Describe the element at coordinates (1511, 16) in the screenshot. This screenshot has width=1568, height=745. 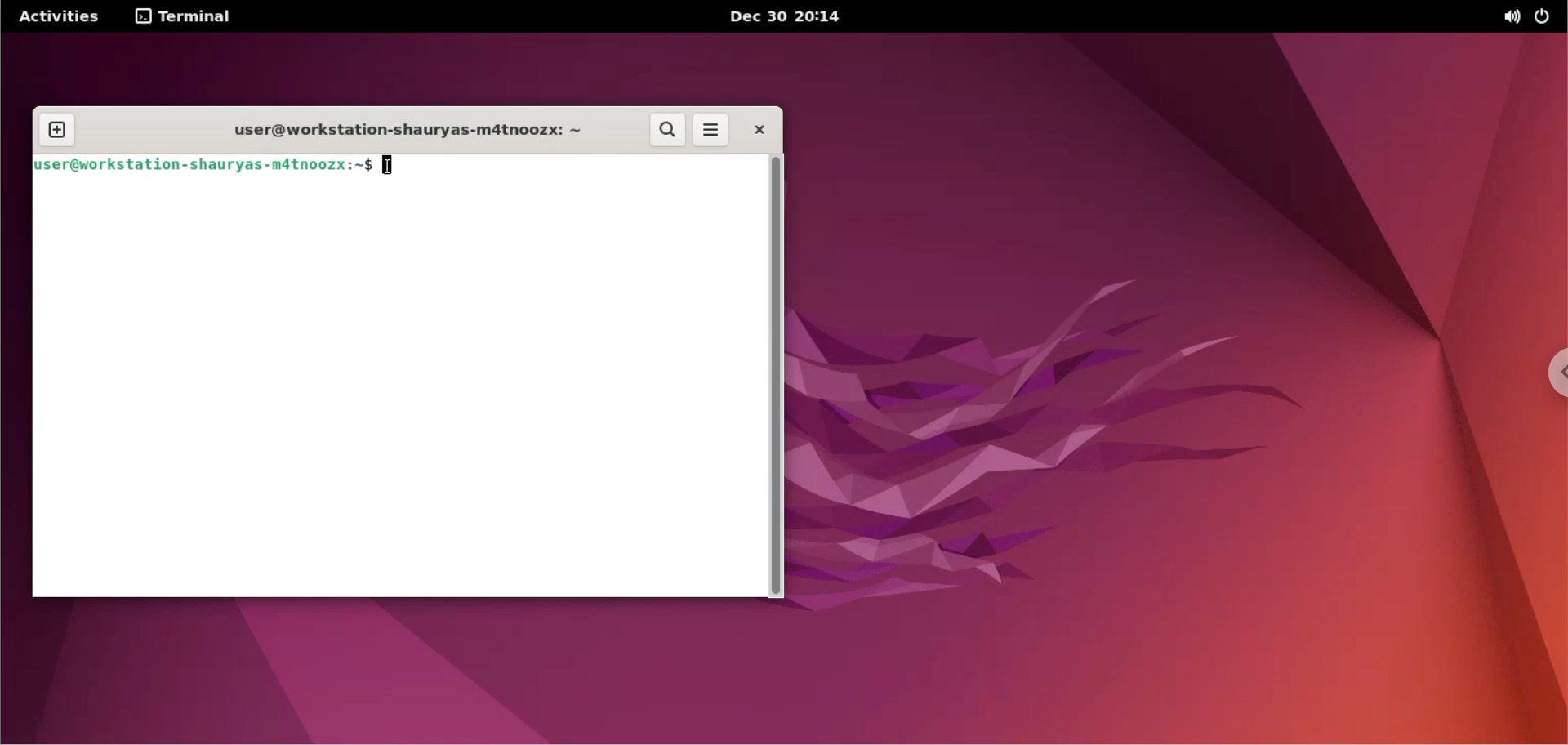
I see `sound options` at that location.